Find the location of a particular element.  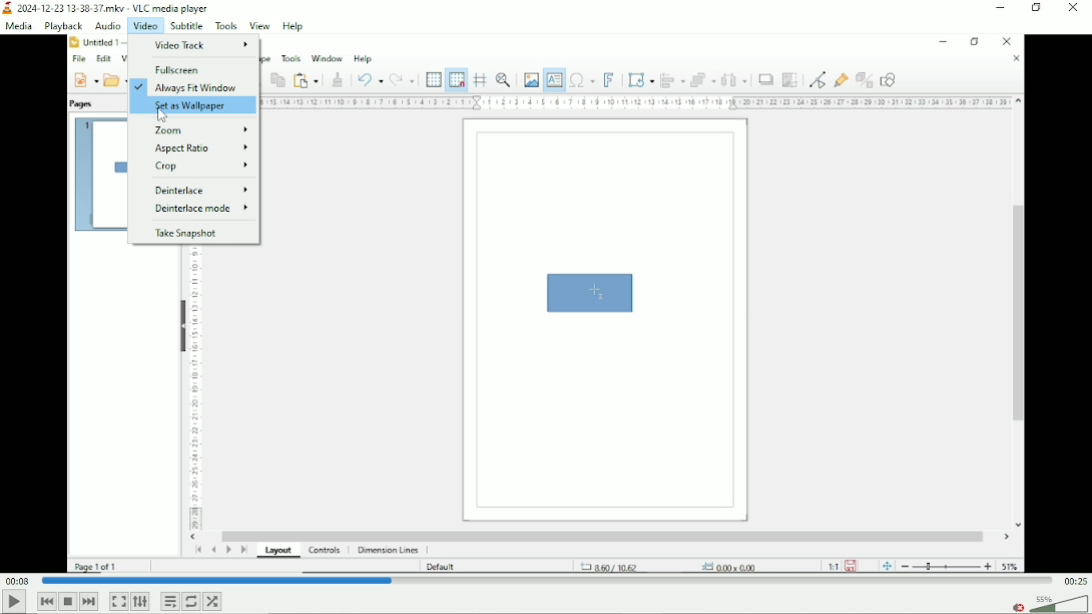

Stop playlist is located at coordinates (68, 601).